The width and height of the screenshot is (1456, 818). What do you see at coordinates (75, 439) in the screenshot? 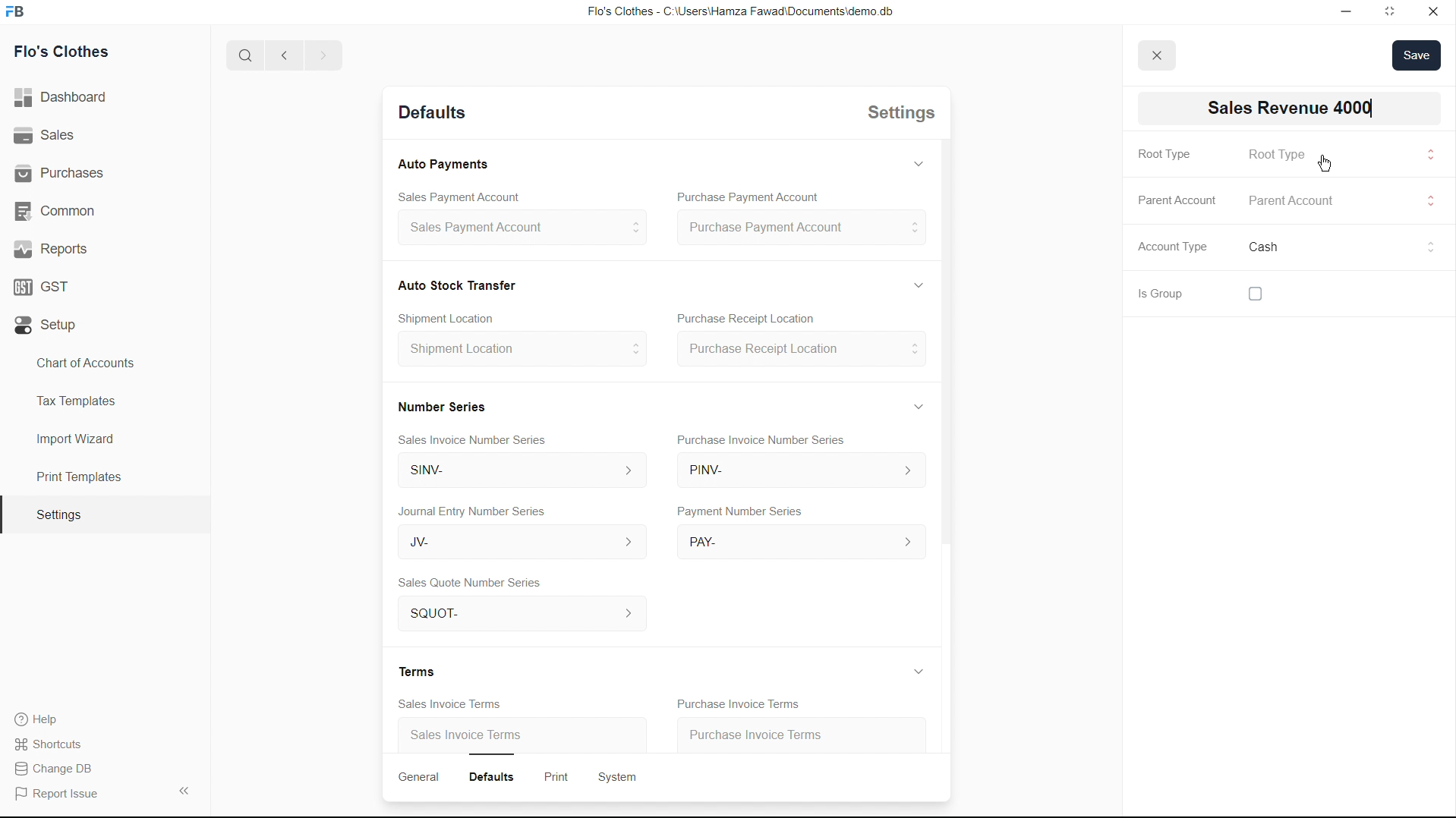
I see `Import Wizard` at bounding box center [75, 439].